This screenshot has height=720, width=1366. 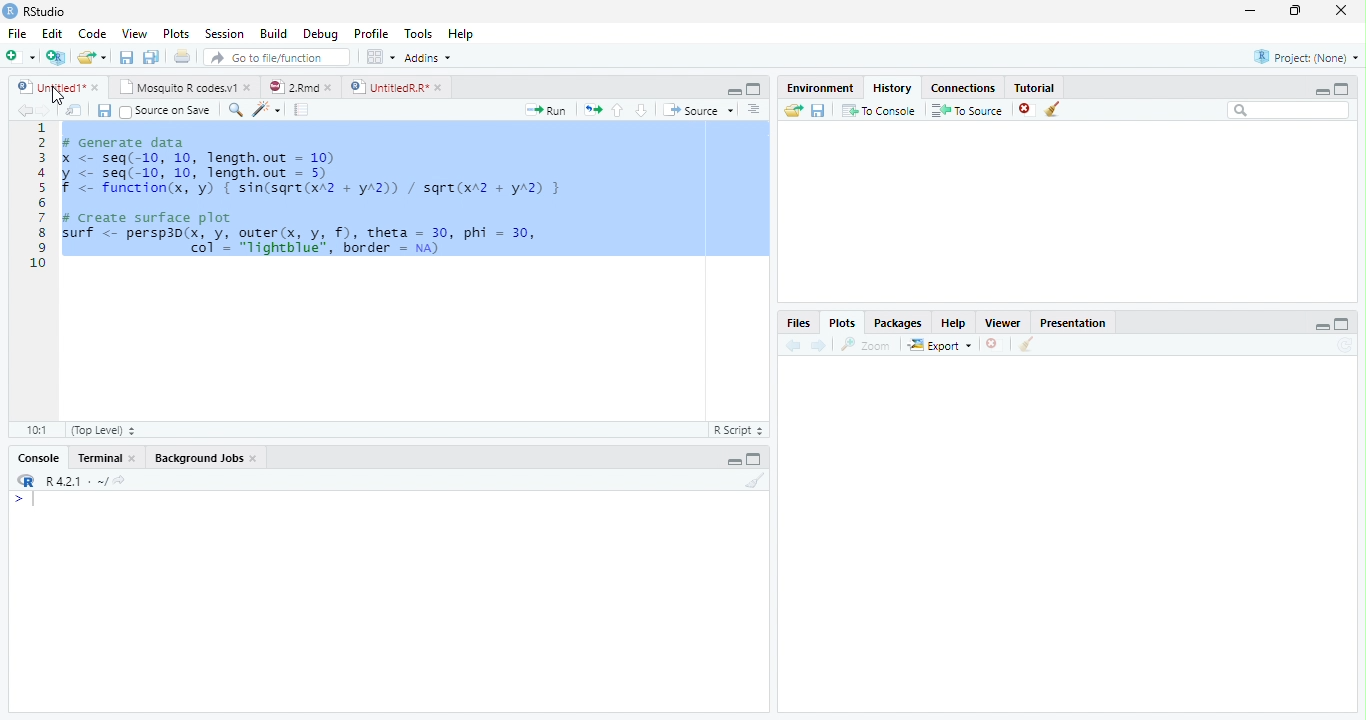 What do you see at coordinates (329, 88) in the screenshot?
I see `close` at bounding box center [329, 88].